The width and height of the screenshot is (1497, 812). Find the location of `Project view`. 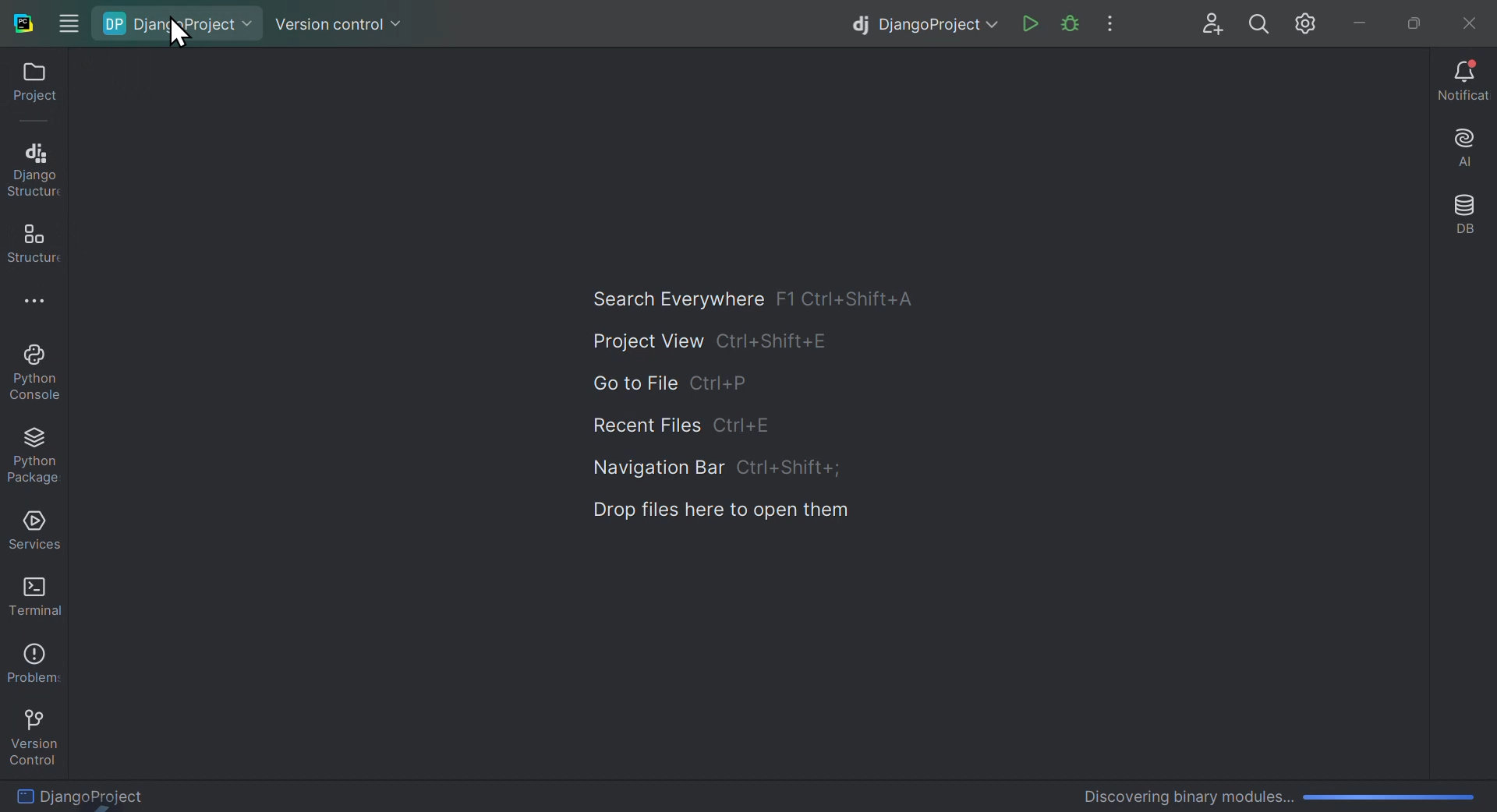

Project view is located at coordinates (639, 342).